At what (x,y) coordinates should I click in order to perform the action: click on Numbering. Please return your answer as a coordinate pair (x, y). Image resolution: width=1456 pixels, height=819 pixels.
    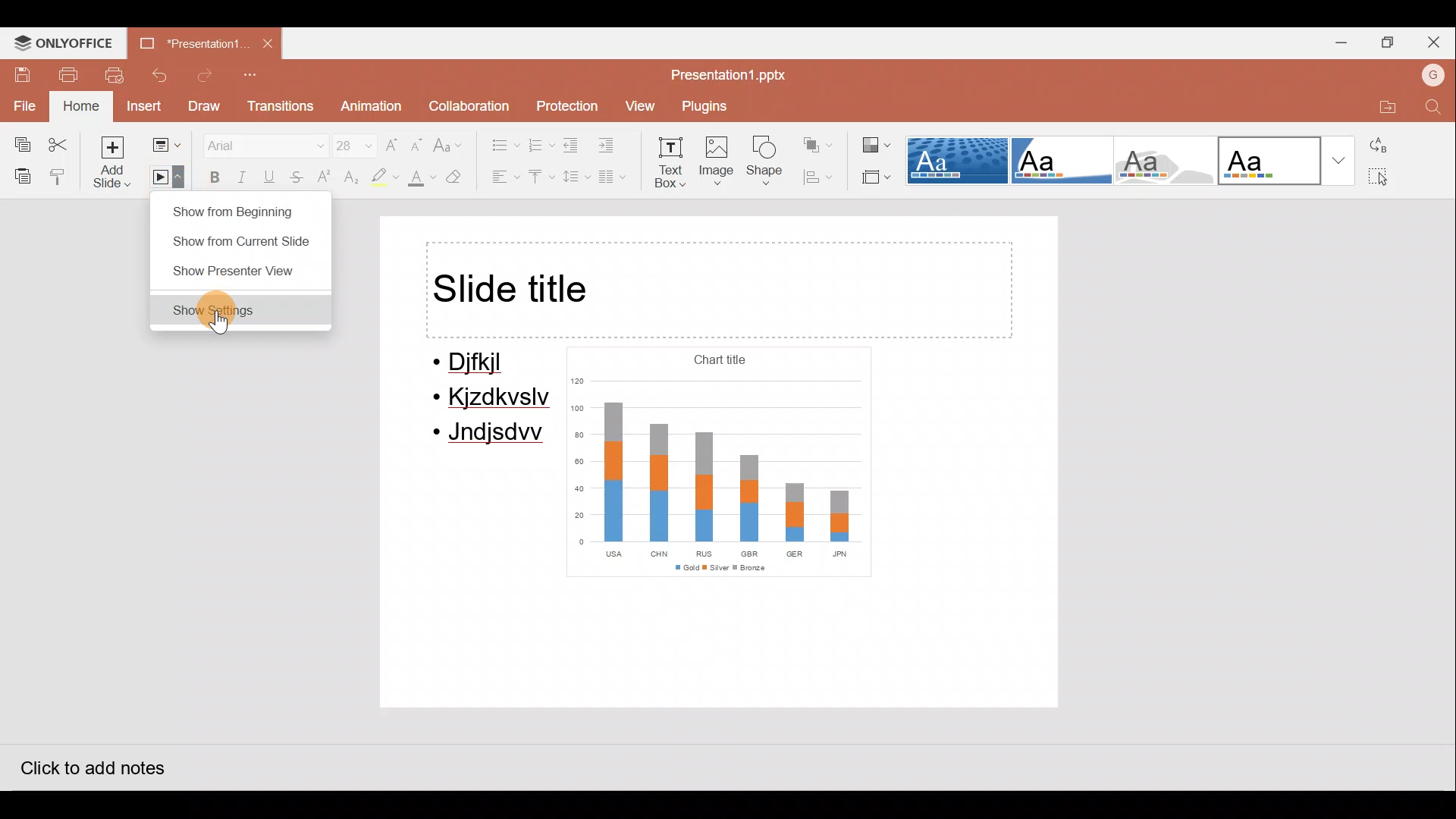
    Looking at the image, I should click on (538, 143).